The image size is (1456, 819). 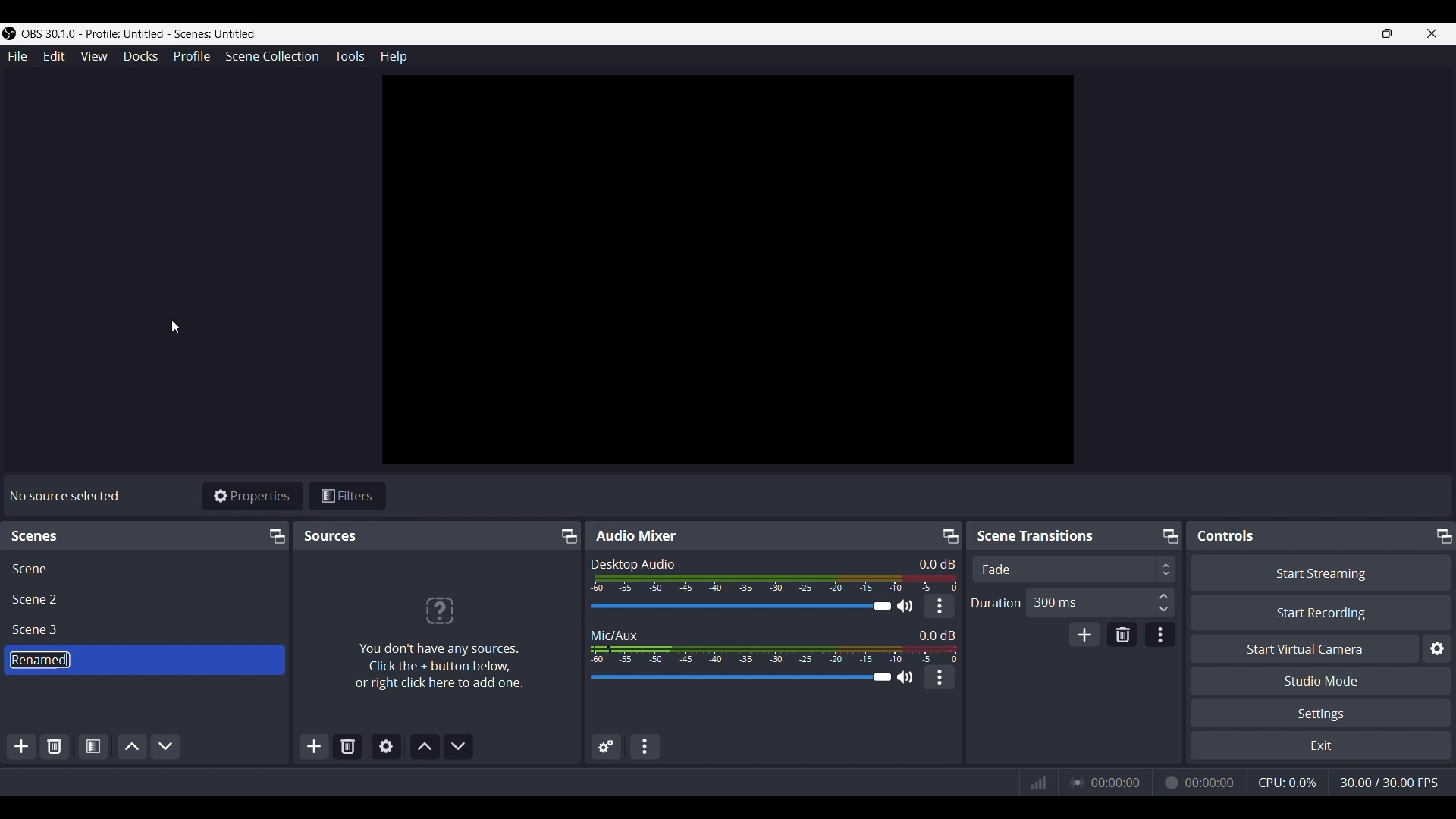 I want to click on Open source properties, so click(x=384, y=745).